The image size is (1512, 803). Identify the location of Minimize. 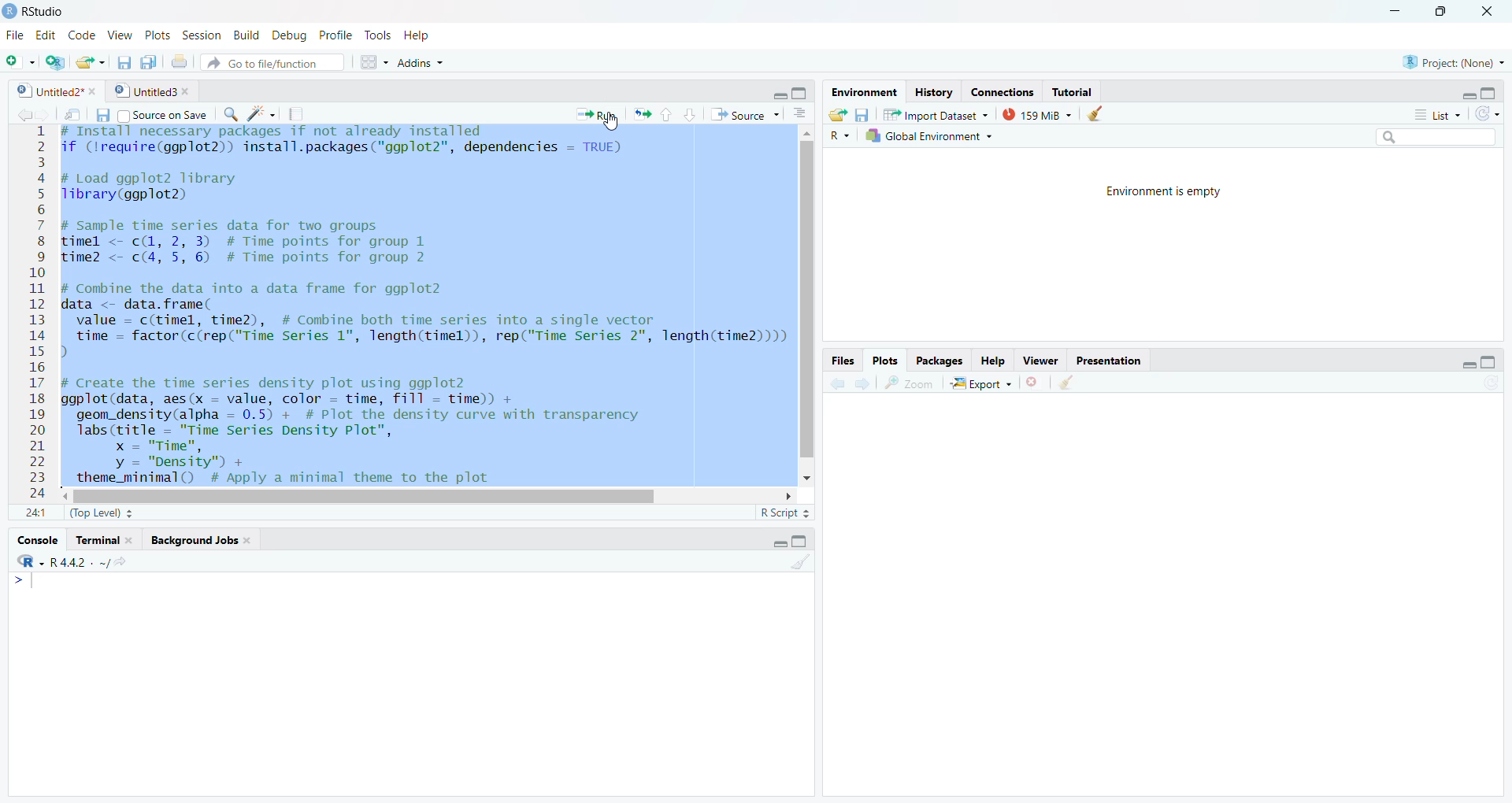
(1466, 93).